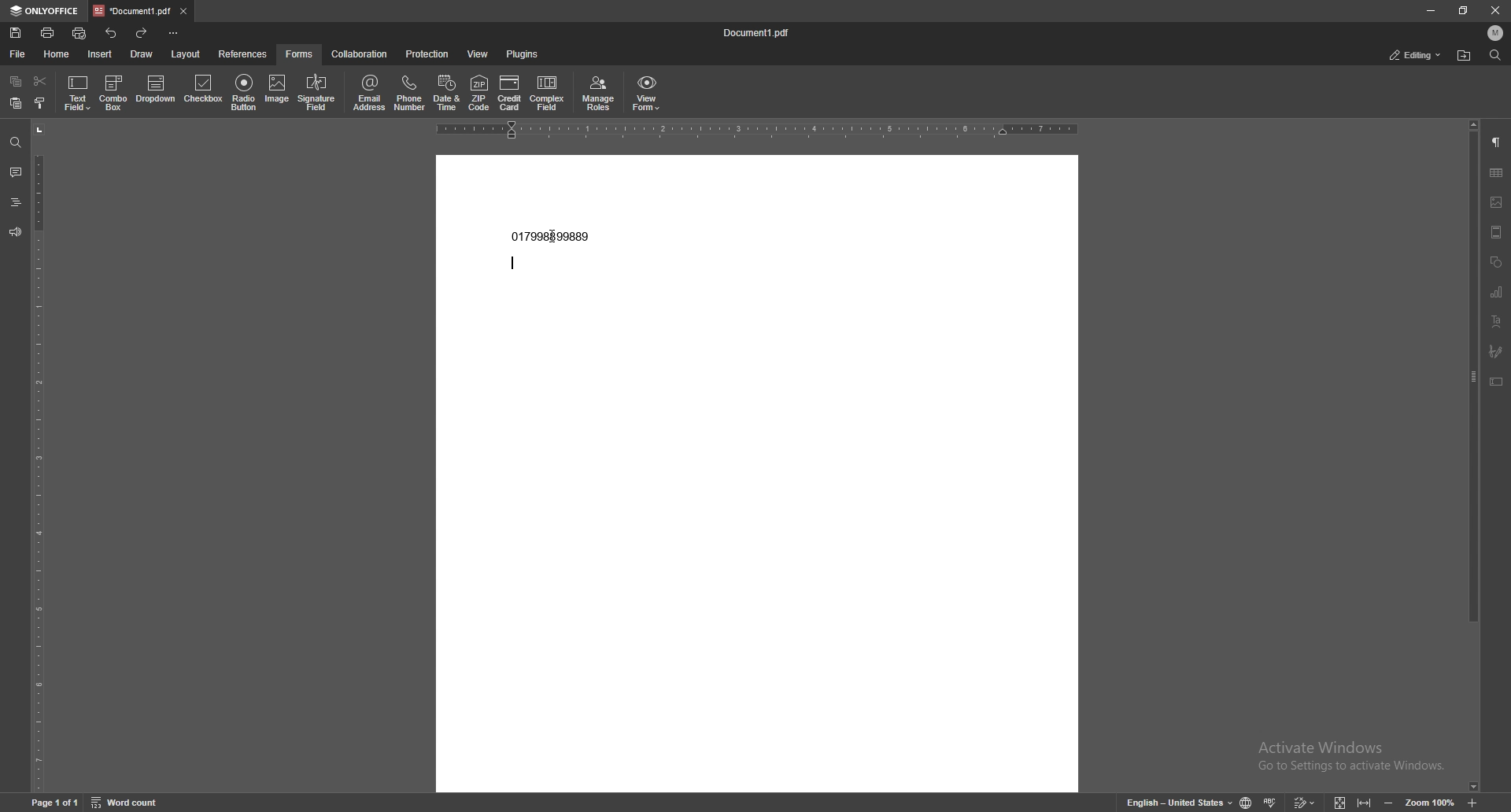 The height and width of the screenshot is (812, 1511). I want to click on signature field, so click(317, 94).